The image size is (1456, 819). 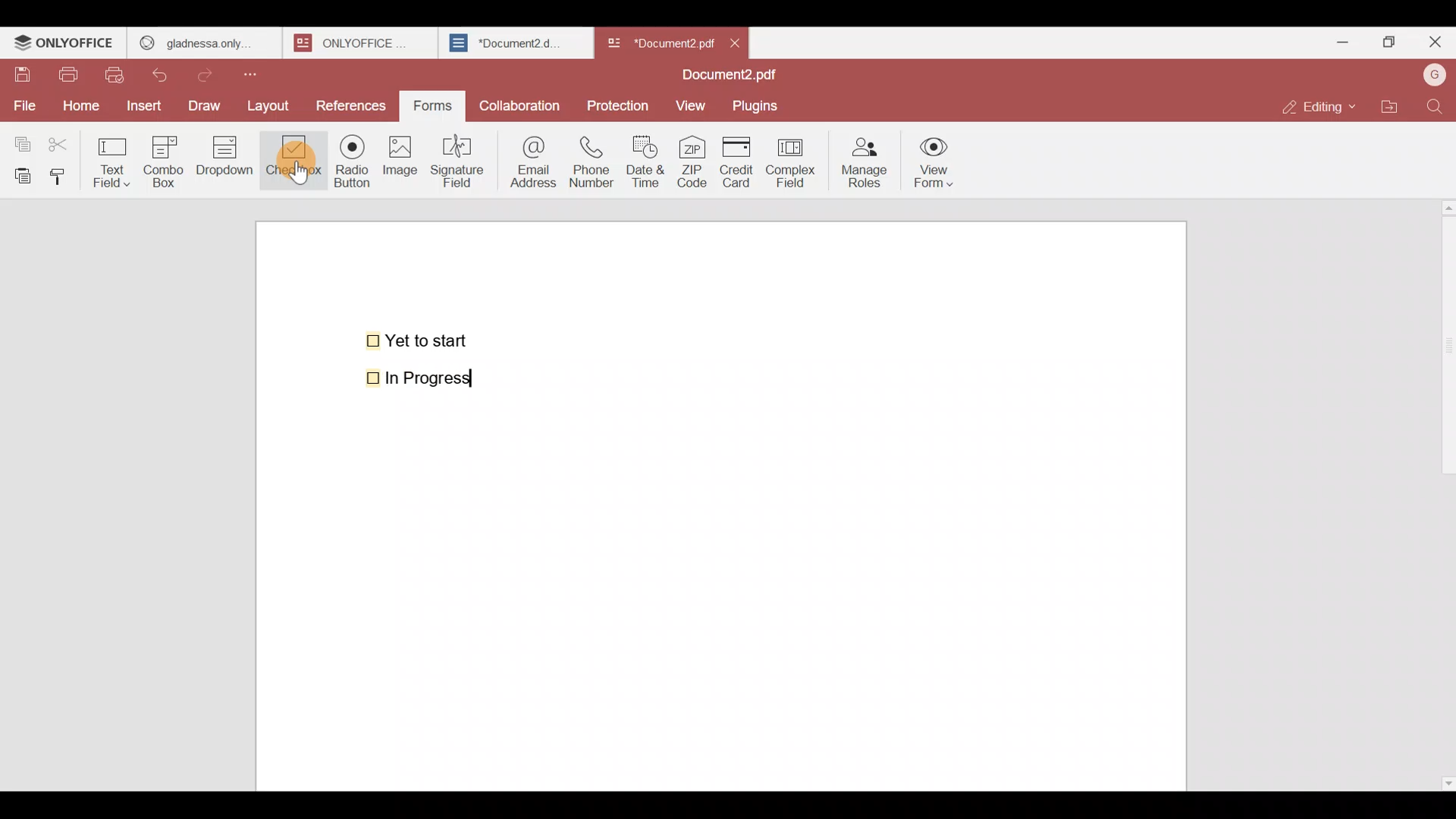 I want to click on Print file, so click(x=71, y=76).